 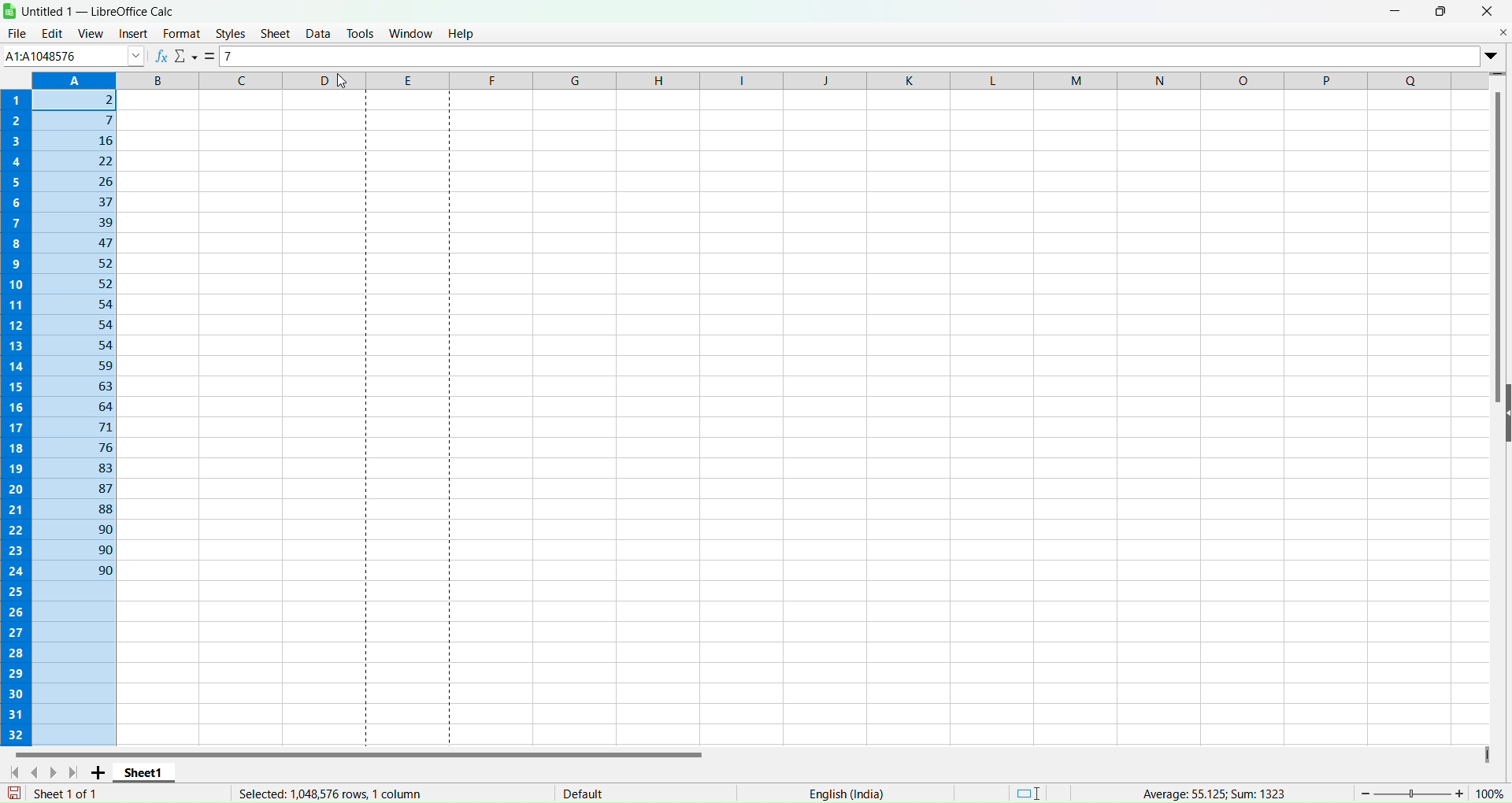 I want to click on File, so click(x=17, y=33).